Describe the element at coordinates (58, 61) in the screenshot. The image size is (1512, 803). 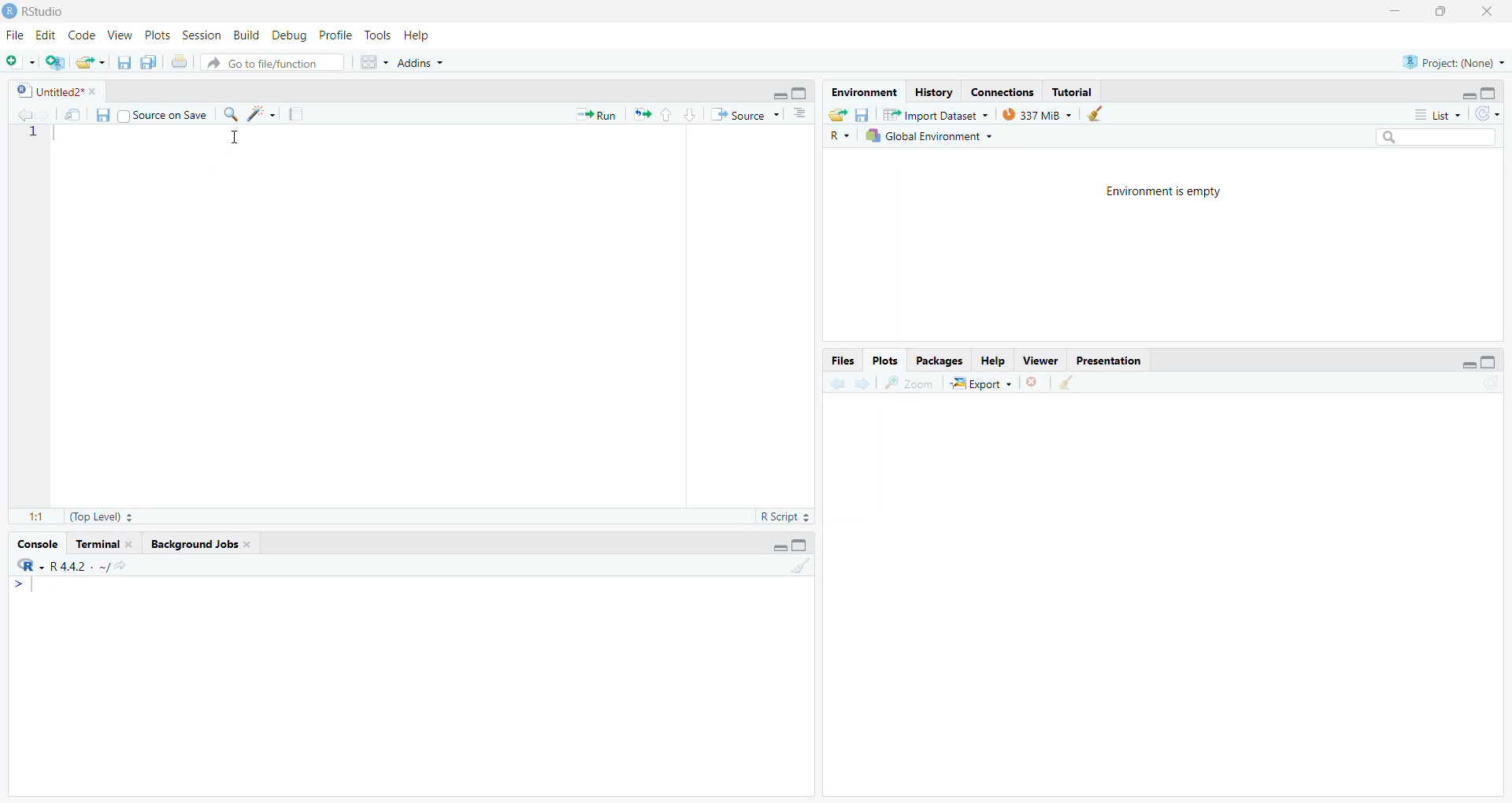
I see `create new project` at that location.